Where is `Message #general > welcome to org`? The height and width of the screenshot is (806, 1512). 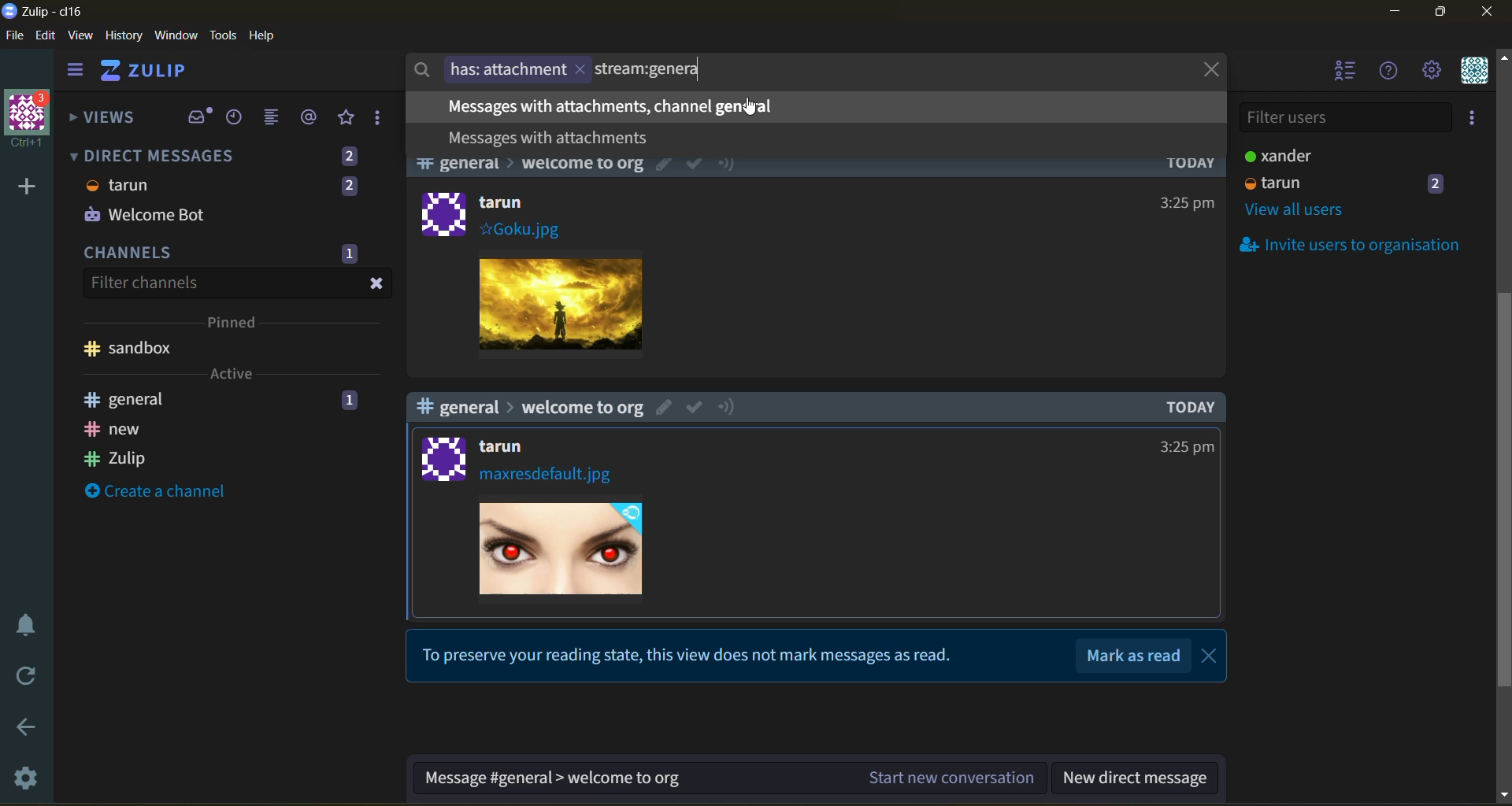 Message #general > welcome to org is located at coordinates (552, 779).